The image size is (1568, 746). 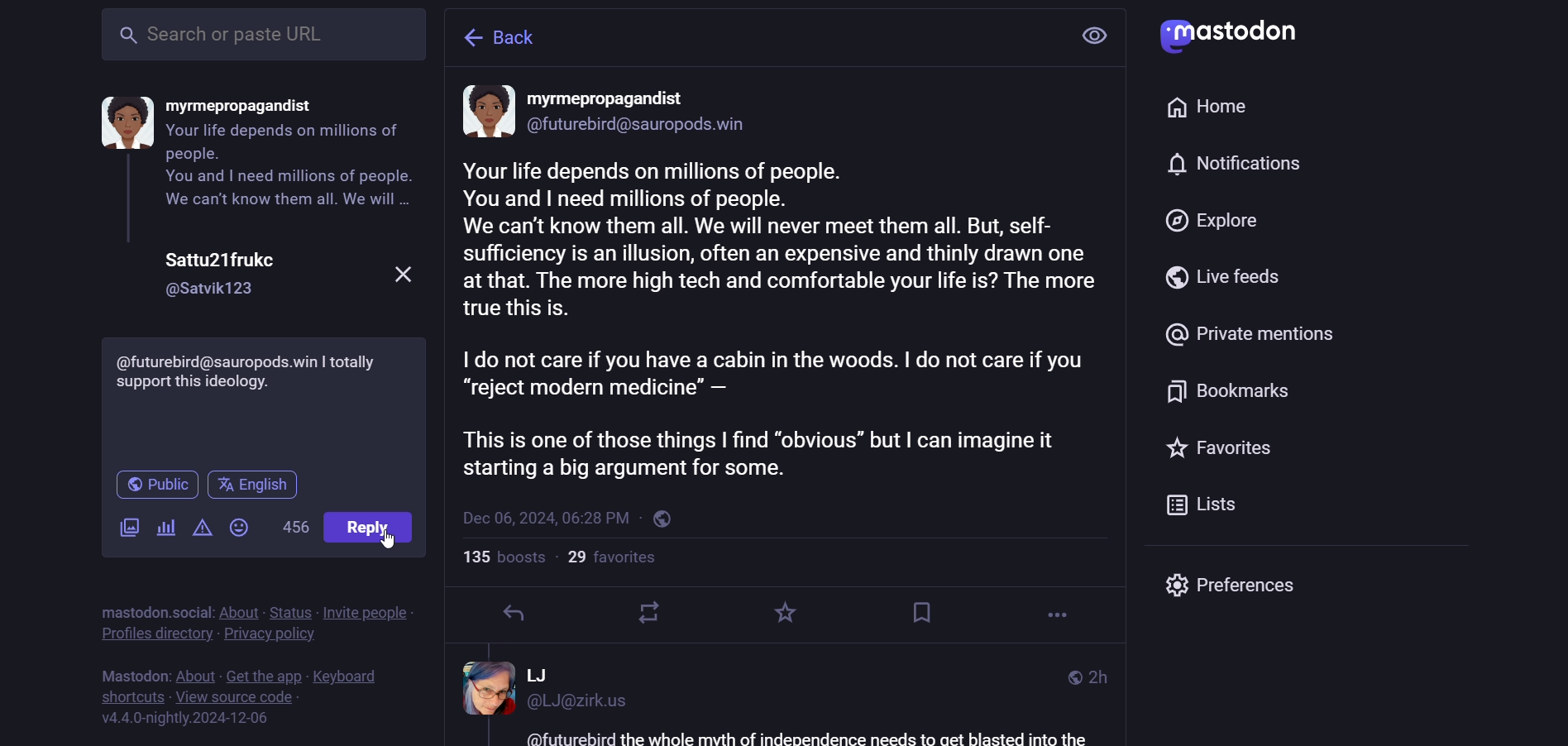 What do you see at coordinates (155, 635) in the screenshot?
I see `profiles` at bounding box center [155, 635].